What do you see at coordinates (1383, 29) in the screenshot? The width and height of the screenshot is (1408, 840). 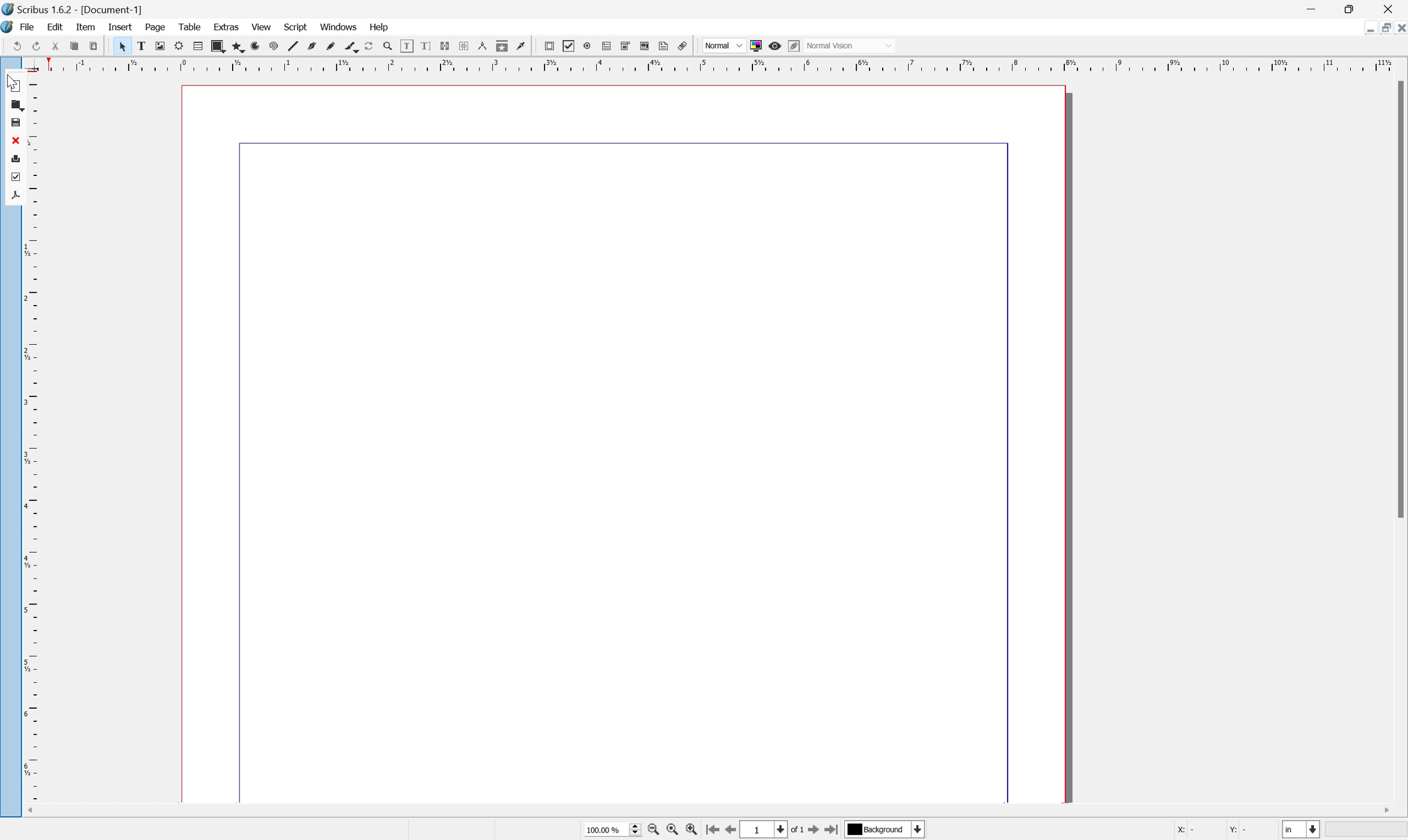 I see `restore down` at bounding box center [1383, 29].